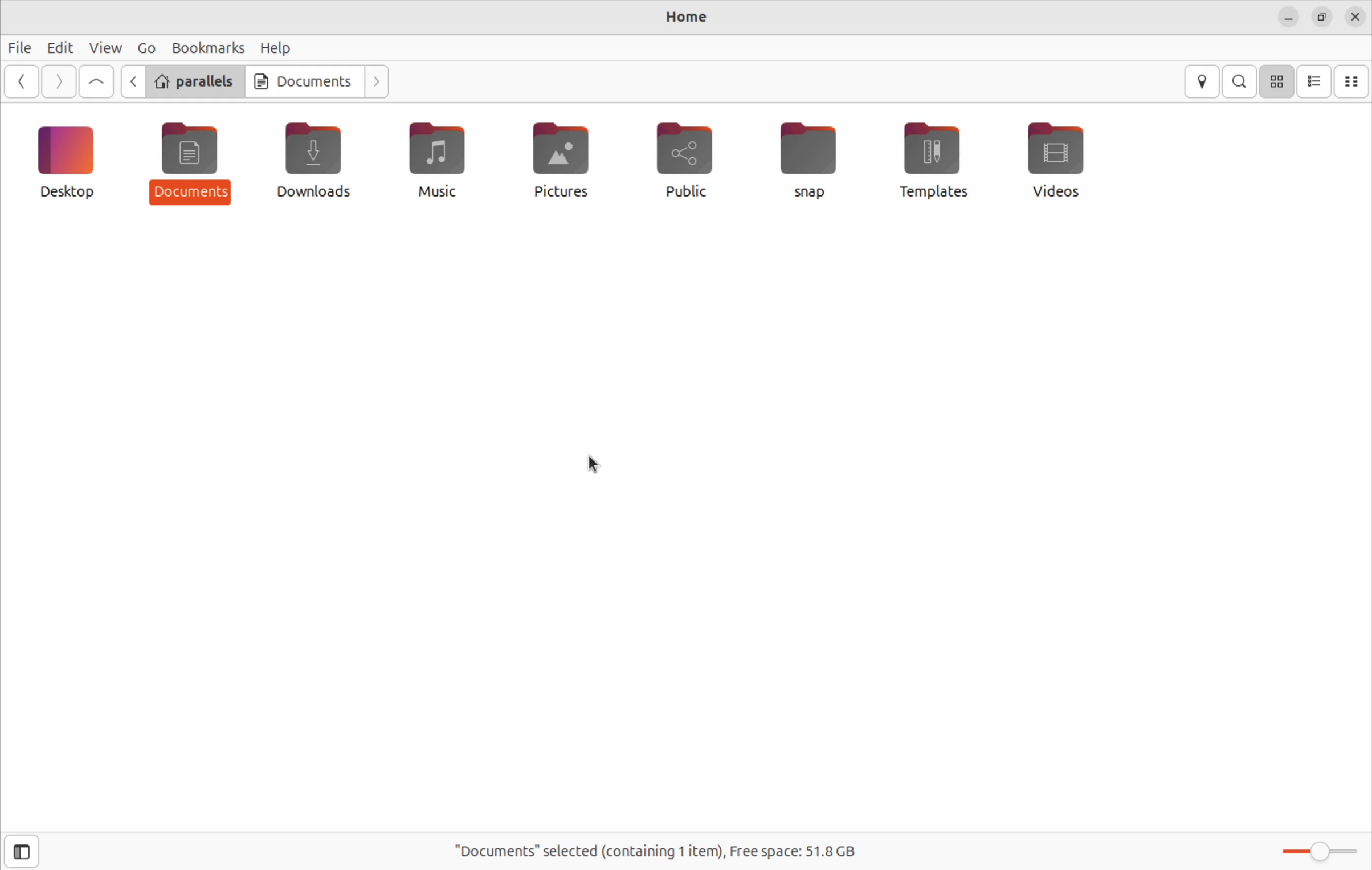 The image size is (1372, 870). What do you see at coordinates (380, 83) in the screenshot?
I see `next` at bounding box center [380, 83].